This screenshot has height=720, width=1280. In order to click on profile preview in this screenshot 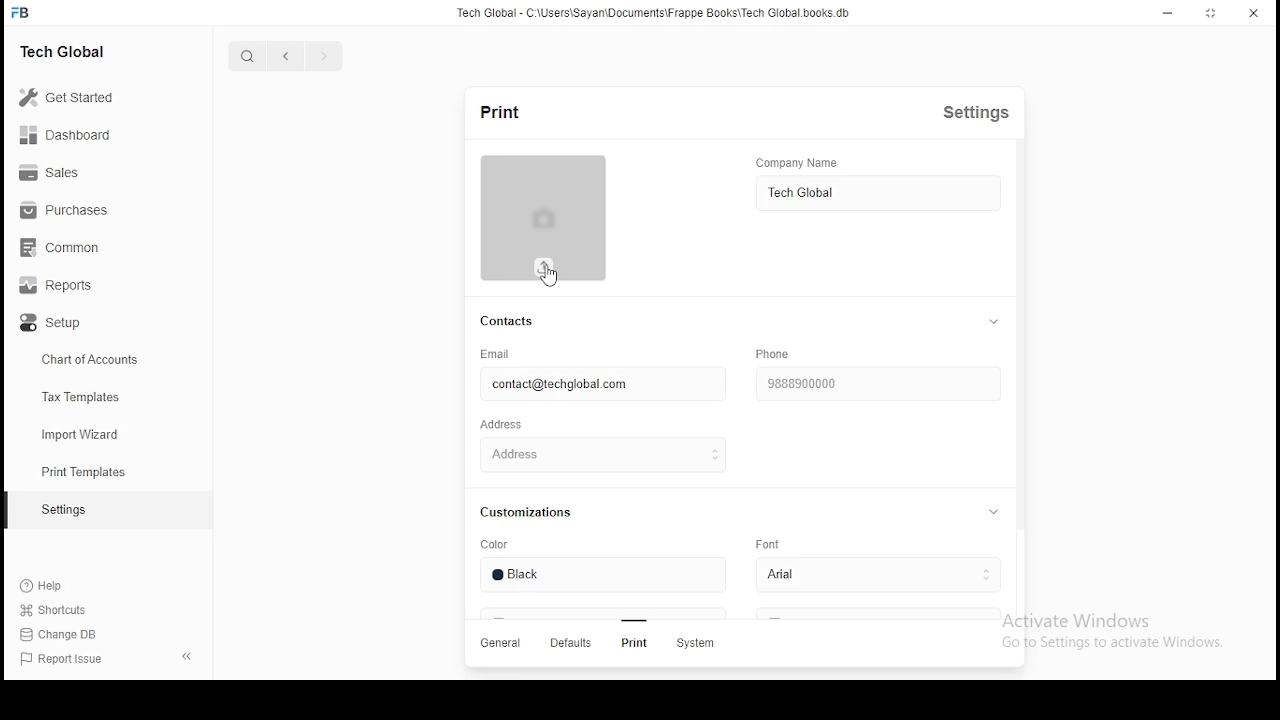, I will do `click(543, 205)`.